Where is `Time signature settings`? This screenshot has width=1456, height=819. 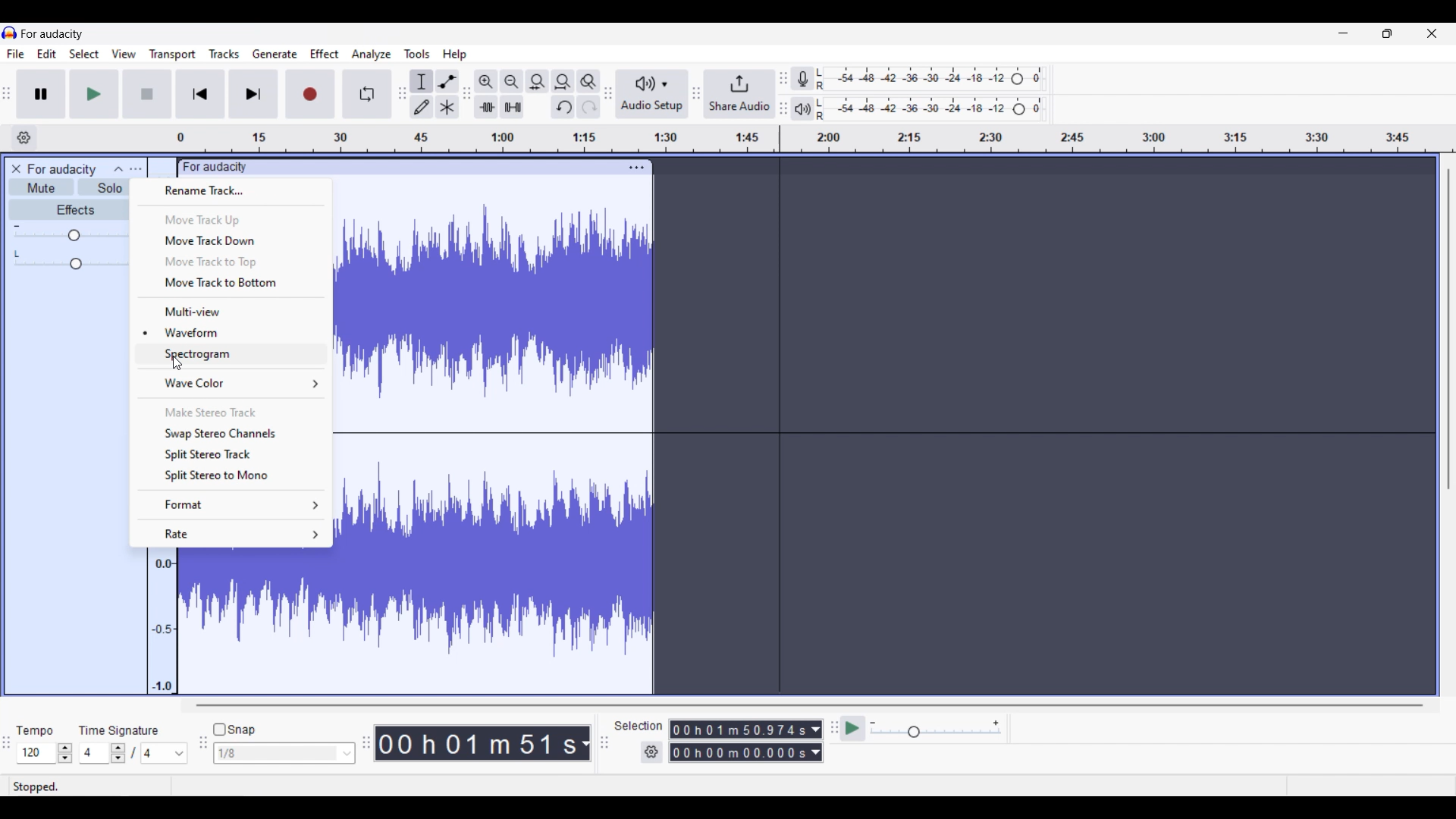 Time signature settings is located at coordinates (134, 753).